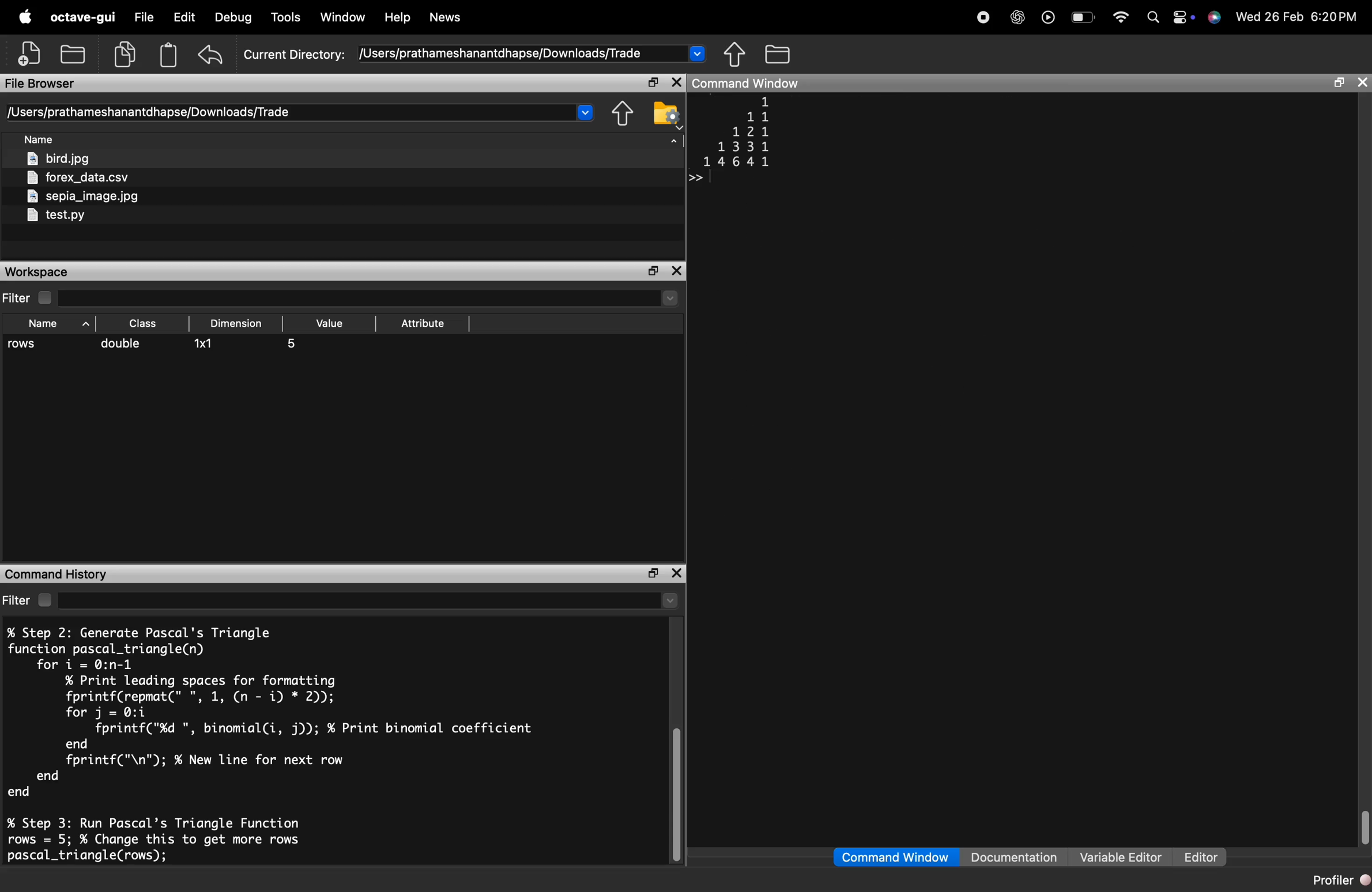 The height and width of the screenshot is (892, 1372). I want to click on Edit, so click(184, 16).